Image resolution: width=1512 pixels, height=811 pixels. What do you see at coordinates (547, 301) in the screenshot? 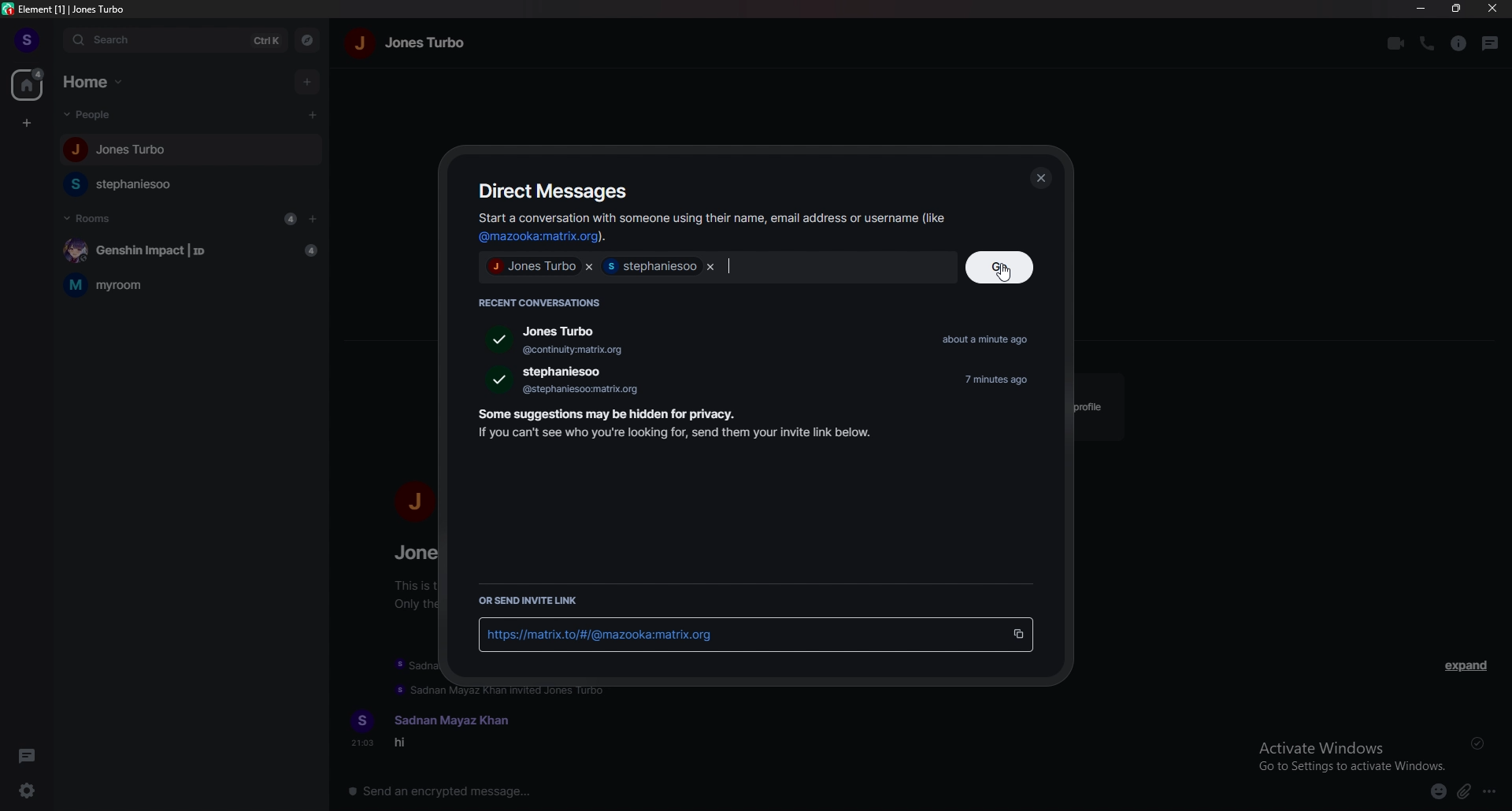
I see `recent conversations` at bounding box center [547, 301].